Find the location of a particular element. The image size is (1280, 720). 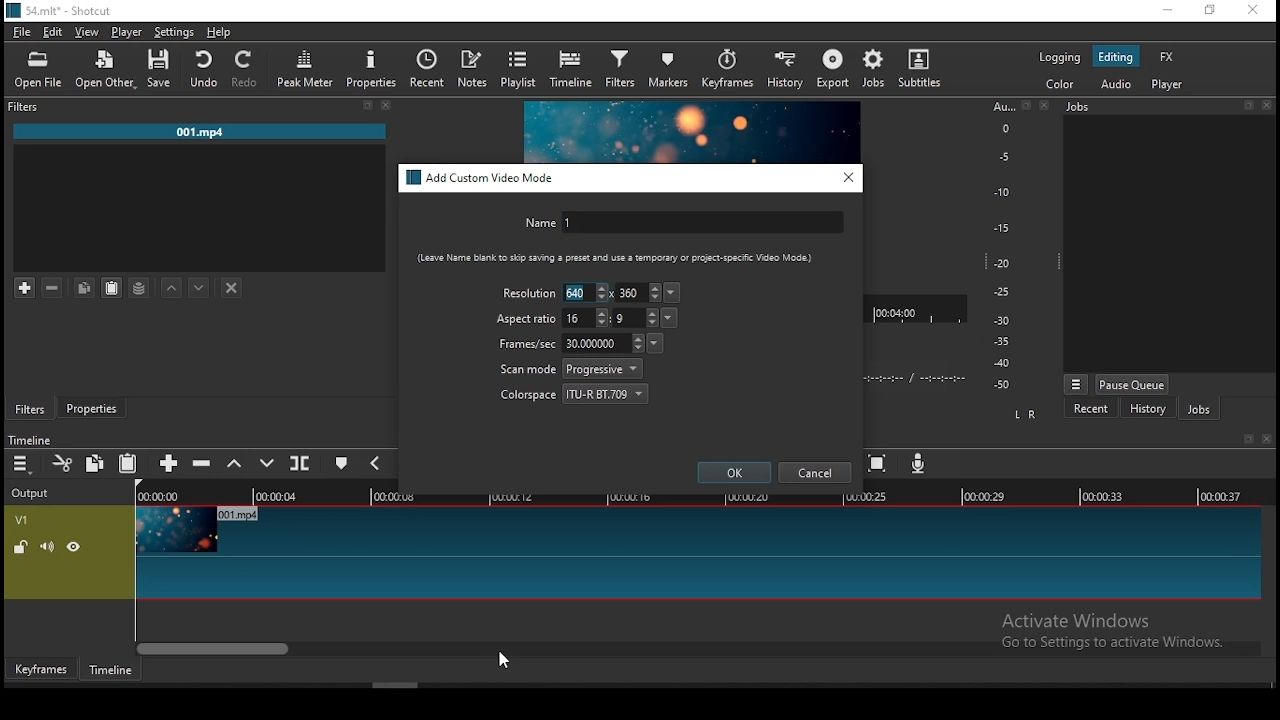

output is located at coordinates (33, 494).